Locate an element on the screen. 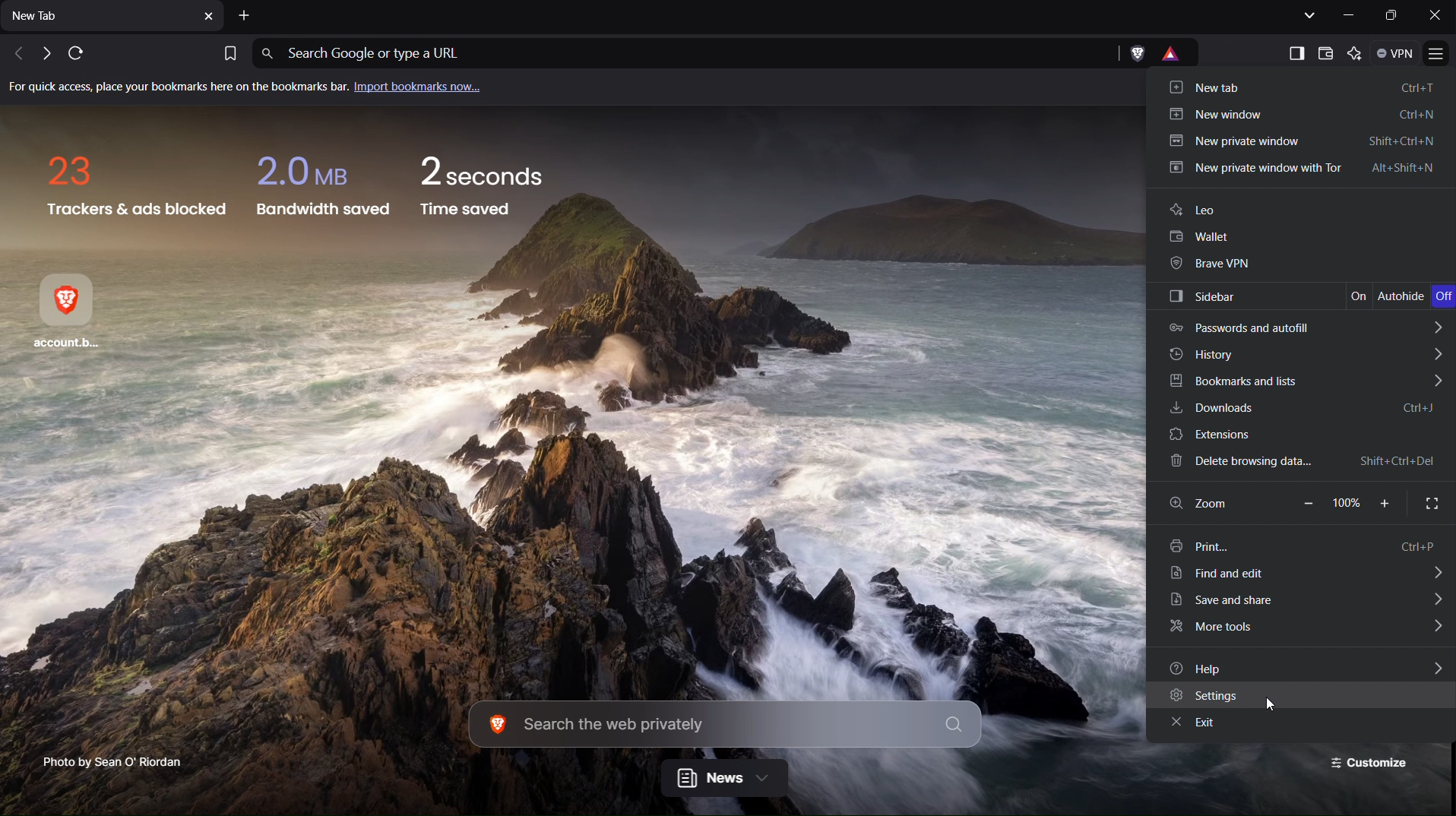 The width and height of the screenshot is (1456, 816). Downloads is located at coordinates (1299, 410).